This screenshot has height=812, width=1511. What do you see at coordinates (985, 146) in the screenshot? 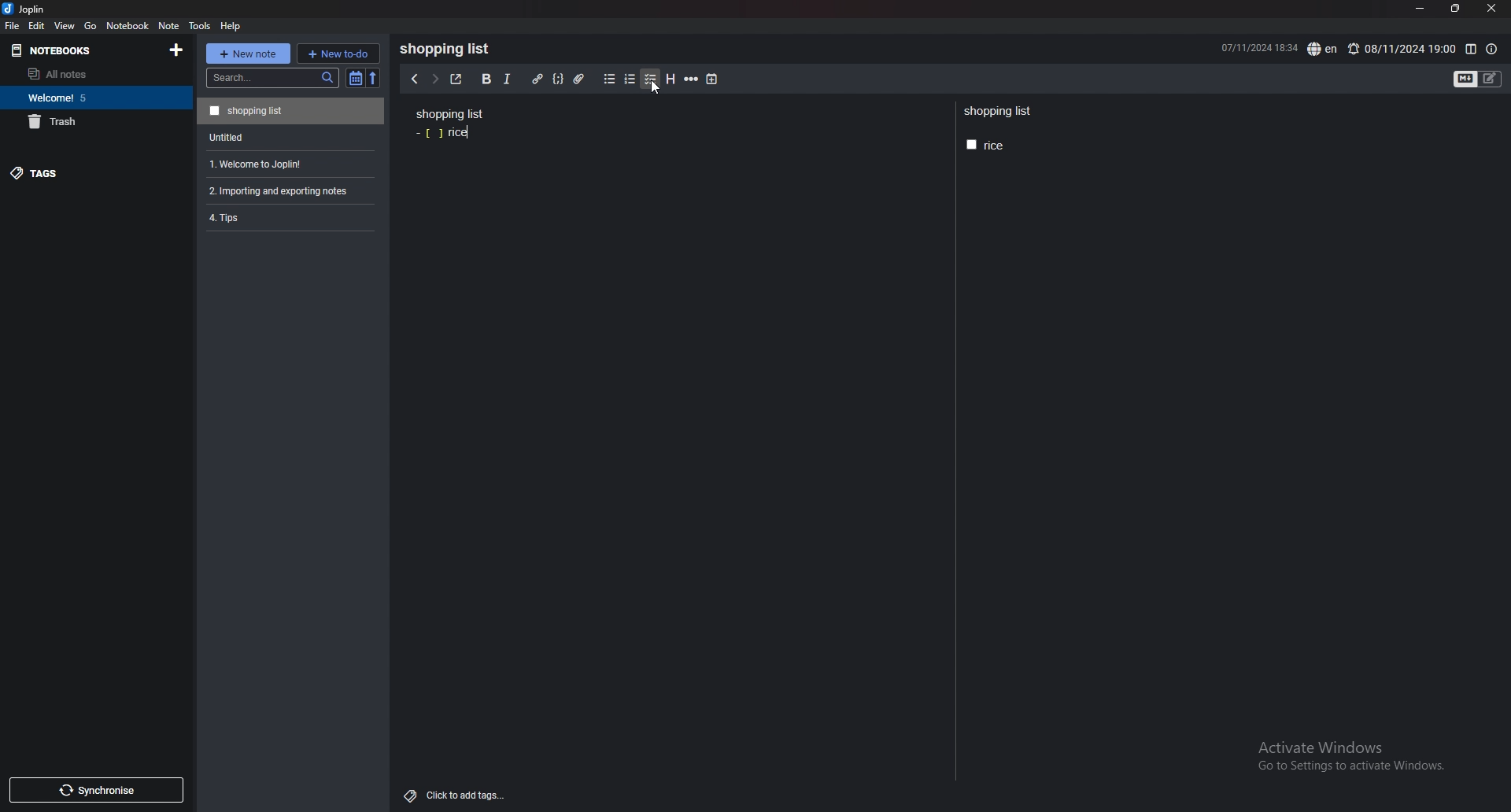
I see `rice` at bounding box center [985, 146].